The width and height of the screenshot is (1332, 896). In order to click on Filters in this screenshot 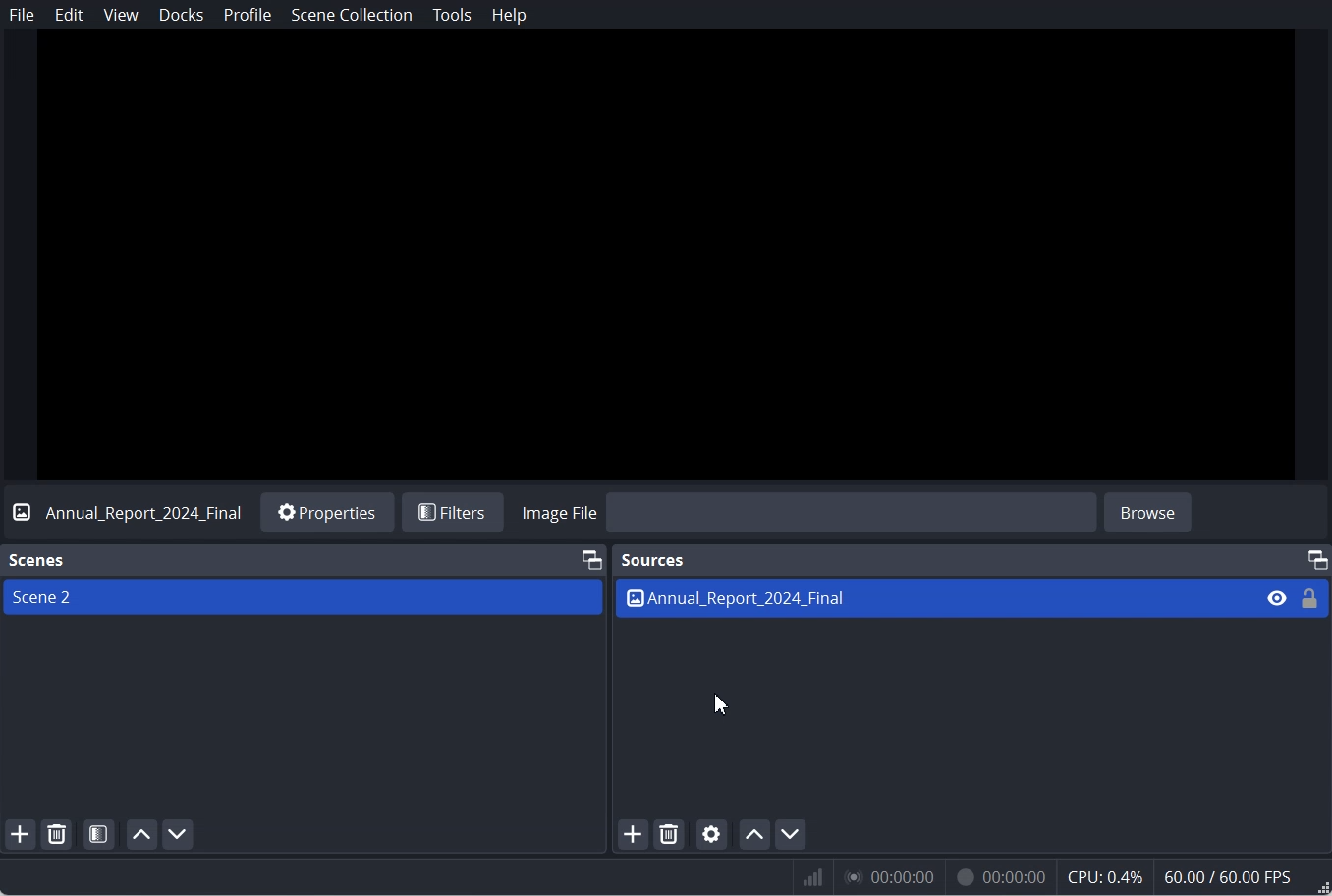, I will do `click(452, 511)`.